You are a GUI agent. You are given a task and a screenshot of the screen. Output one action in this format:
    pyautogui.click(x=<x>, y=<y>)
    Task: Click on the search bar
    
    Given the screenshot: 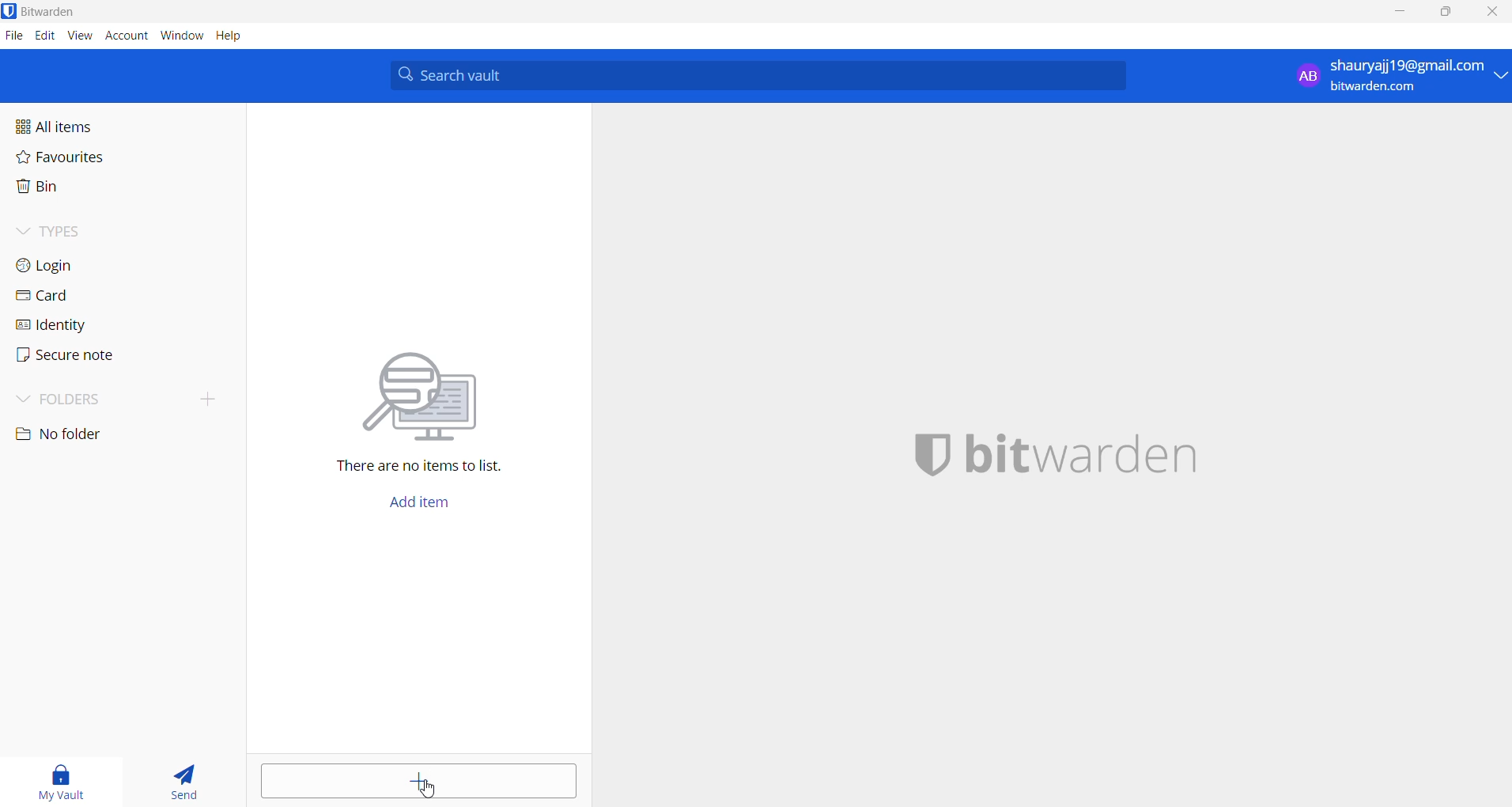 What is the action you would take?
    pyautogui.click(x=764, y=75)
    